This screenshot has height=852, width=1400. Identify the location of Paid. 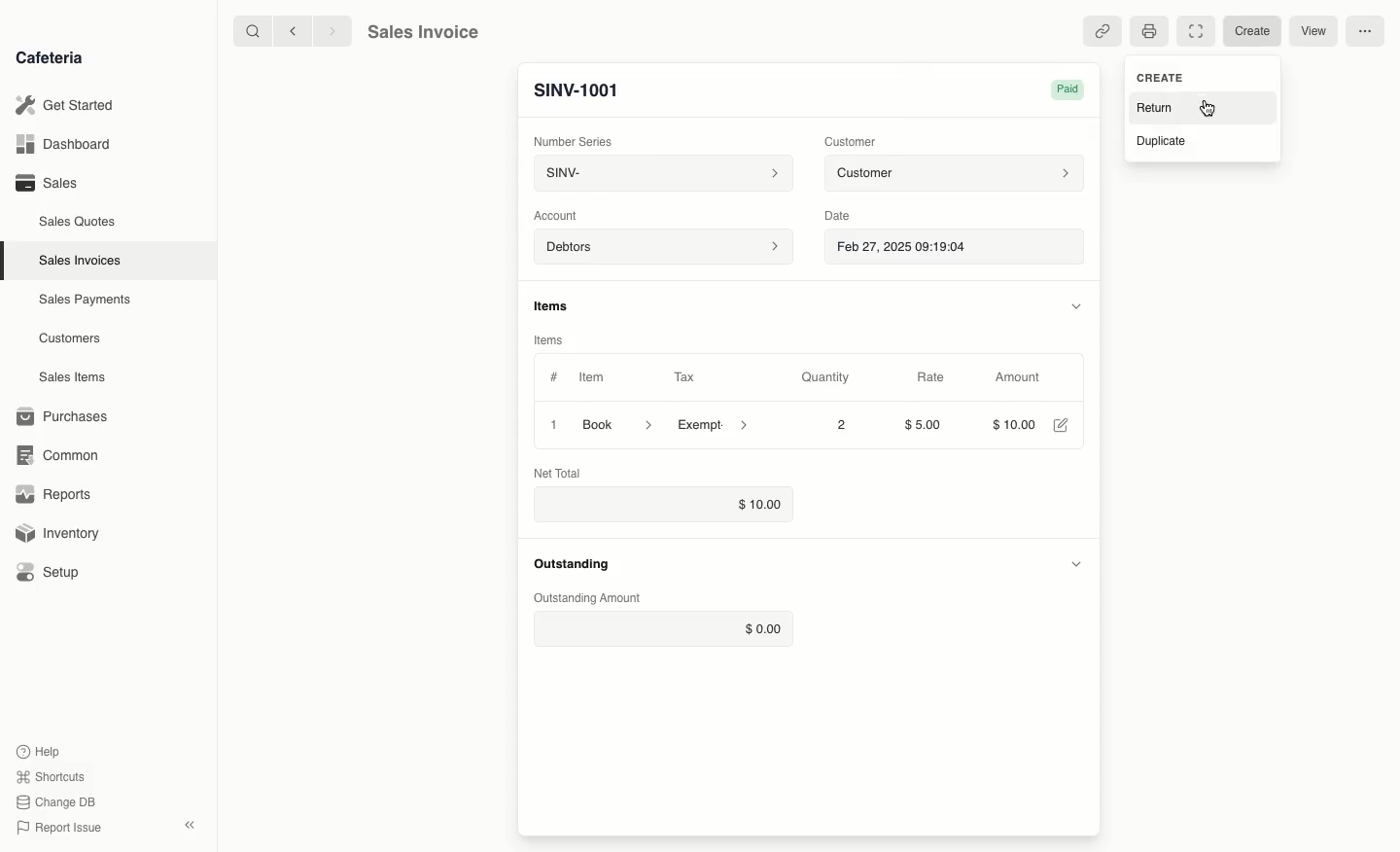
(1071, 89).